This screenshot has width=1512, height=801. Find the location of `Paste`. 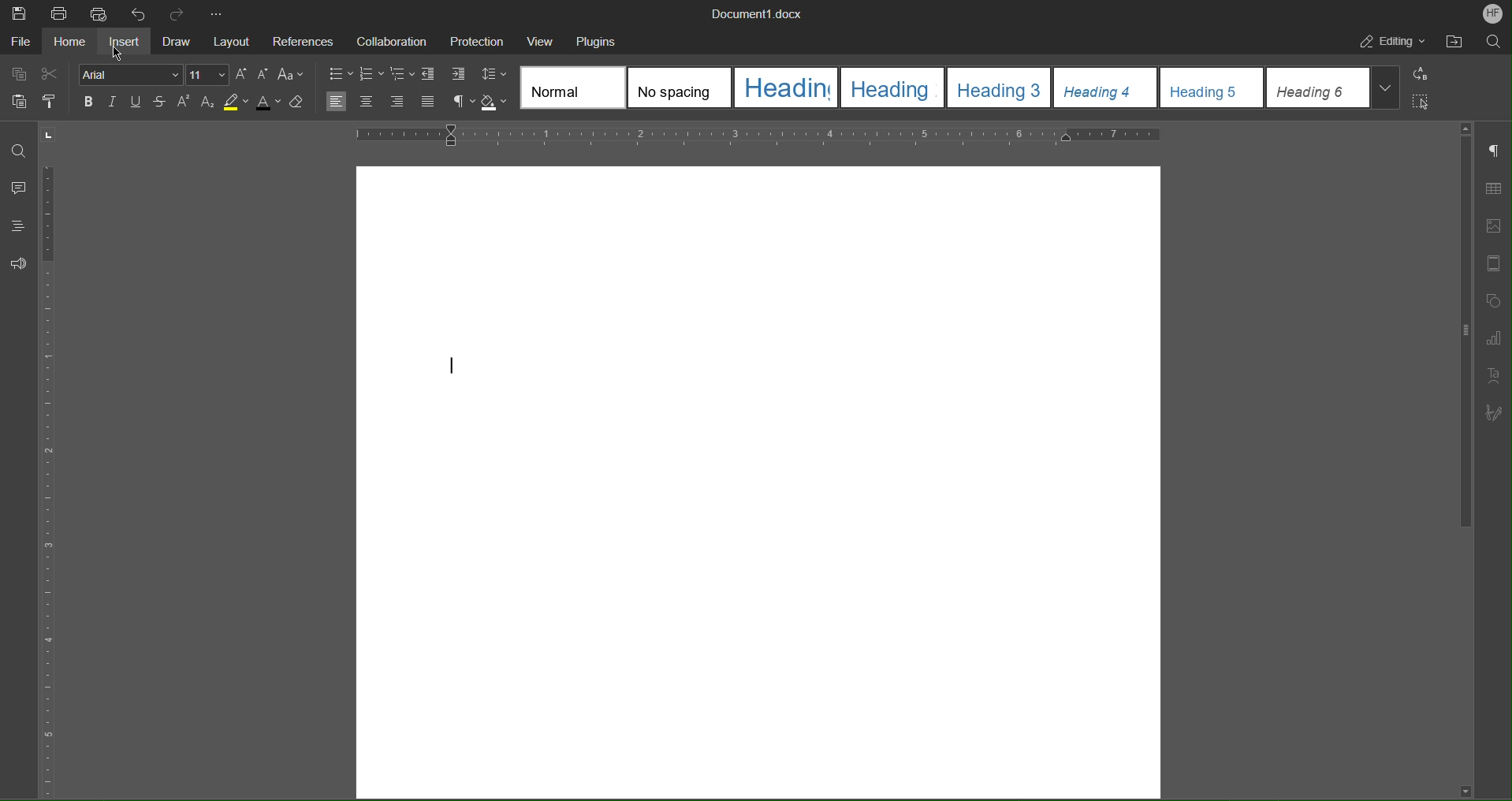

Paste is located at coordinates (20, 102).